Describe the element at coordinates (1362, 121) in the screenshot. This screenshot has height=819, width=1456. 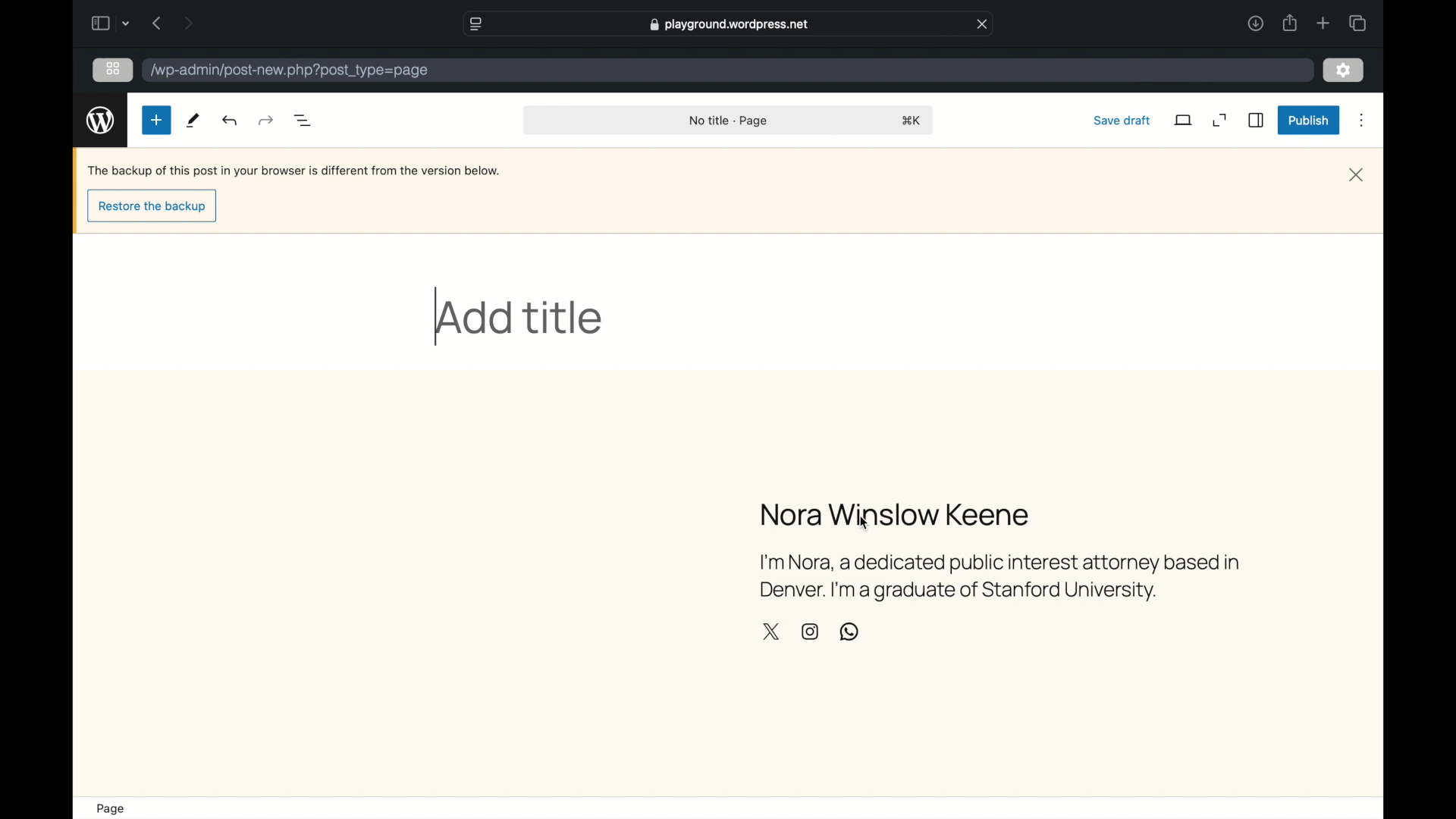
I see `more options` at that location.